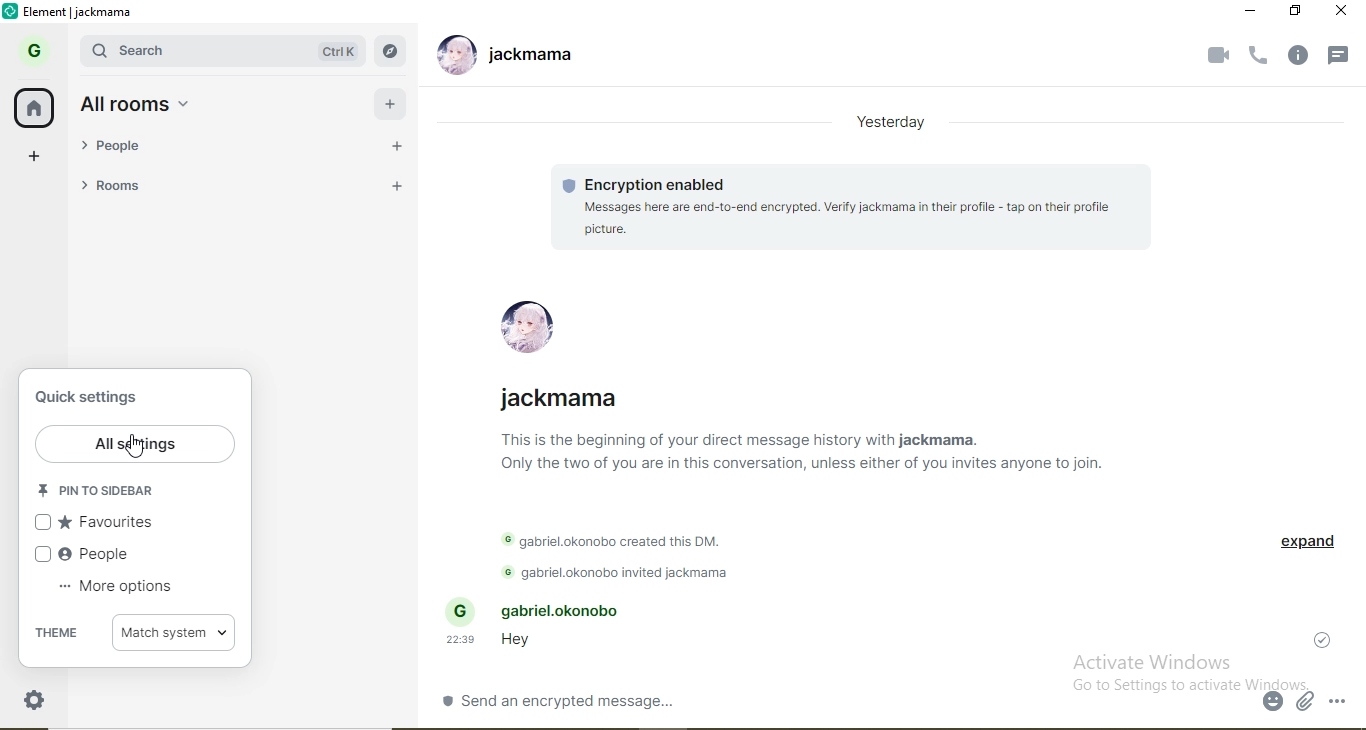 The width and height of the screenshot is (1366, 730). Describe the element at coordinates (128, 151) in the screenshot. I see `people` at that location.